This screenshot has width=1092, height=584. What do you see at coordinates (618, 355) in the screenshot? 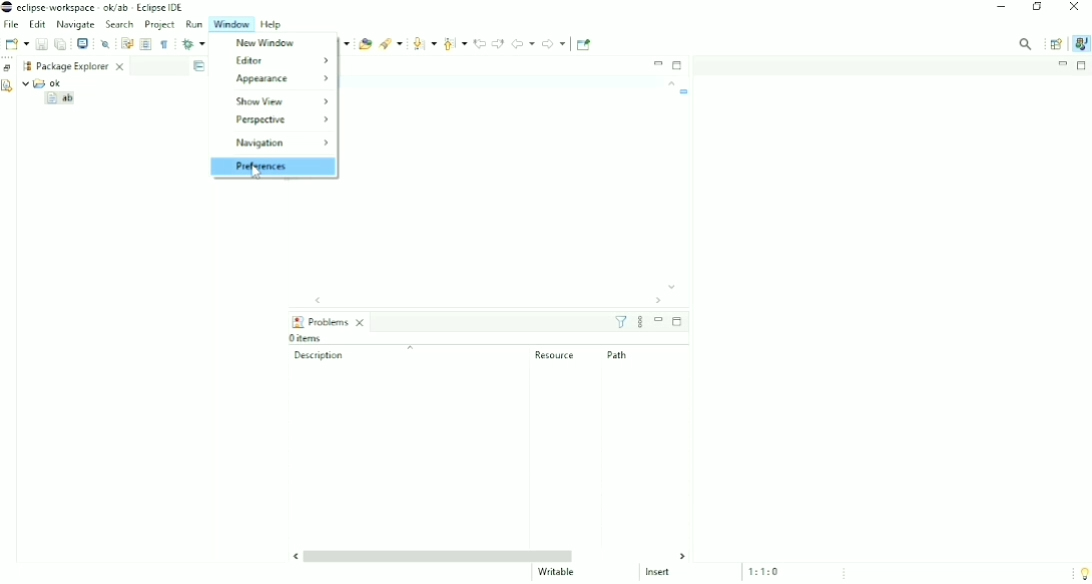
I see `Path` at bounding box center [618, 355].